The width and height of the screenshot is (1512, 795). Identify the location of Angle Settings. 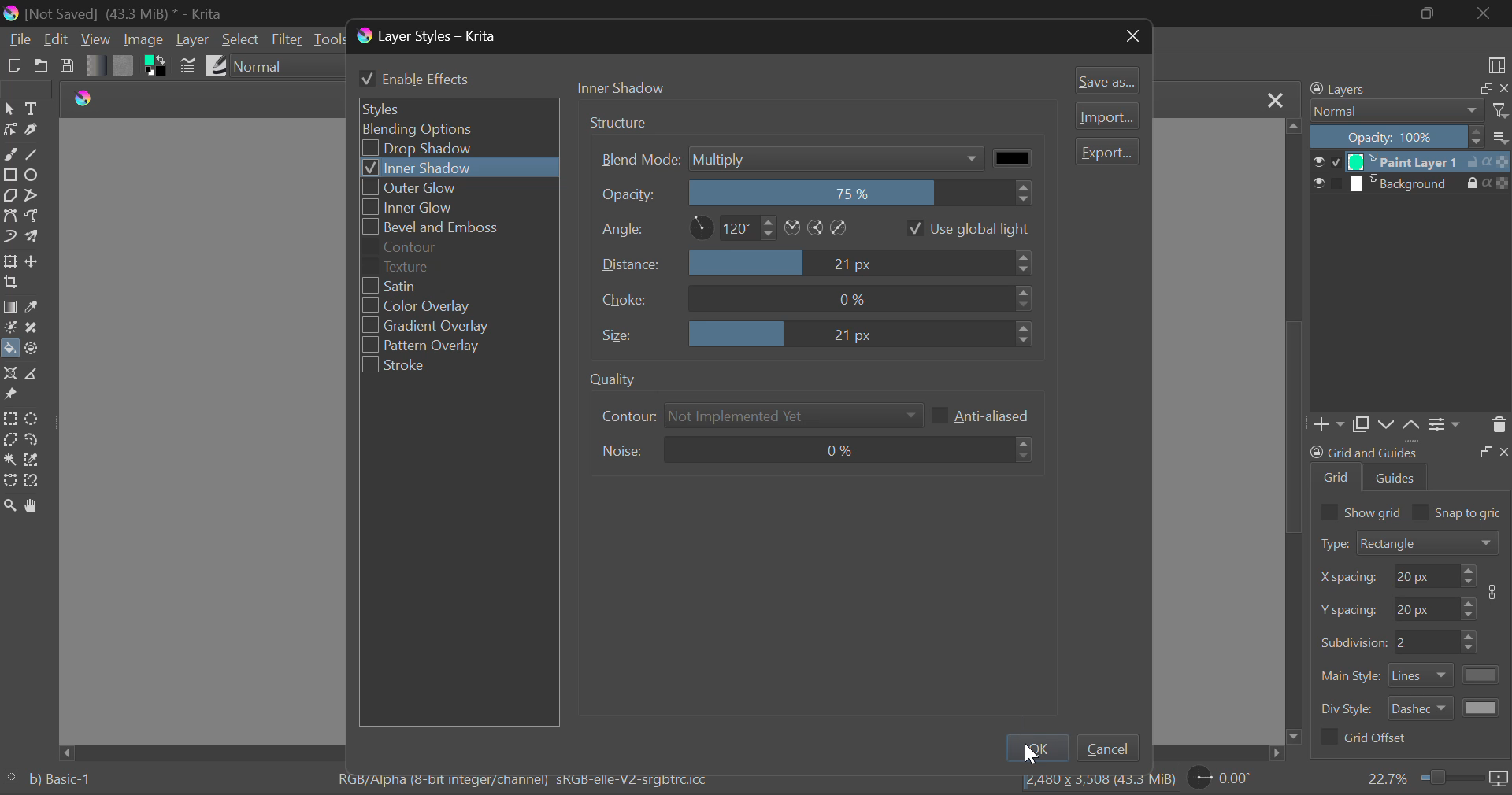
(748, 227).